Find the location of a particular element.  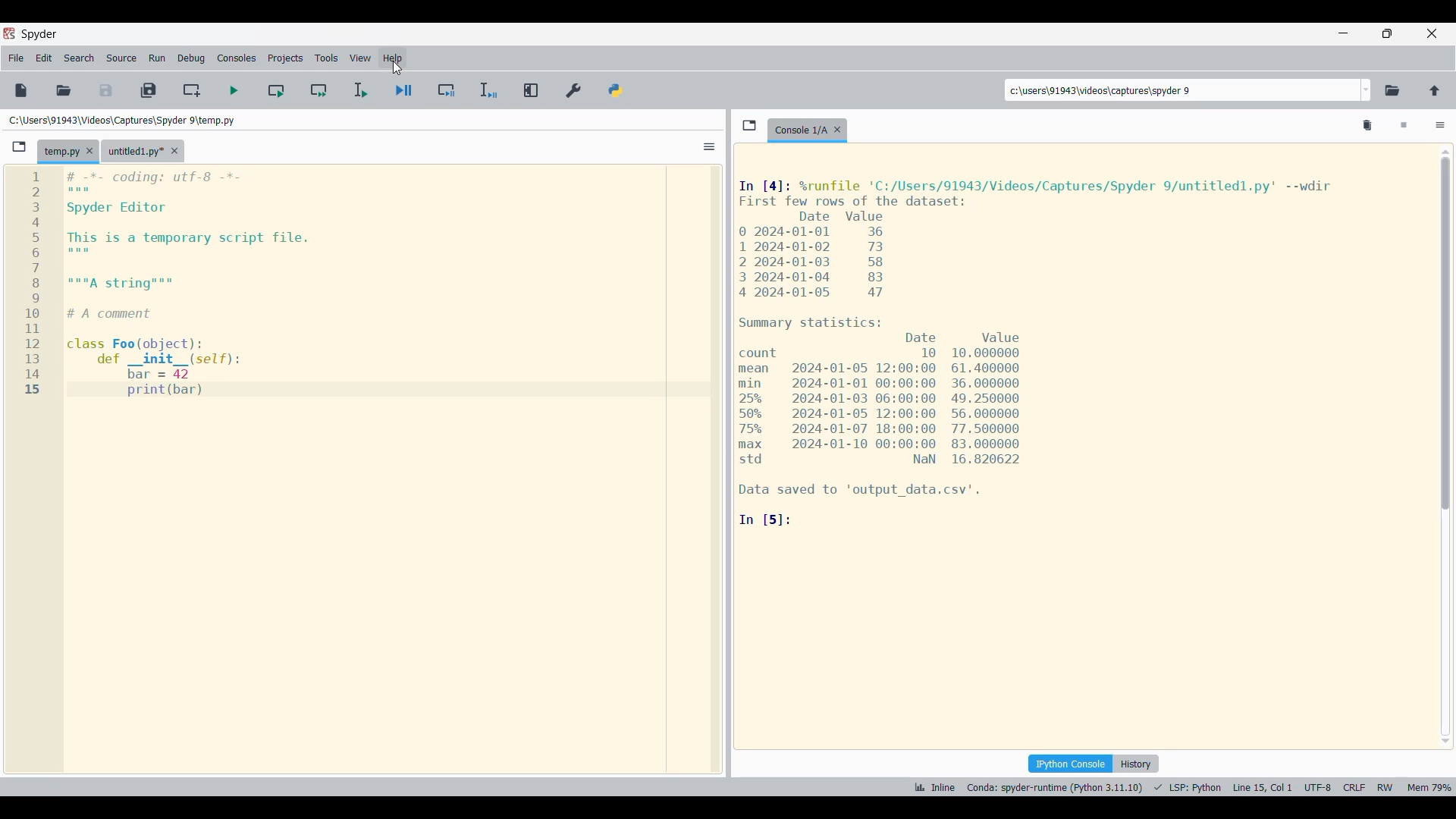

Close tab is located at coordinates (89, 150).